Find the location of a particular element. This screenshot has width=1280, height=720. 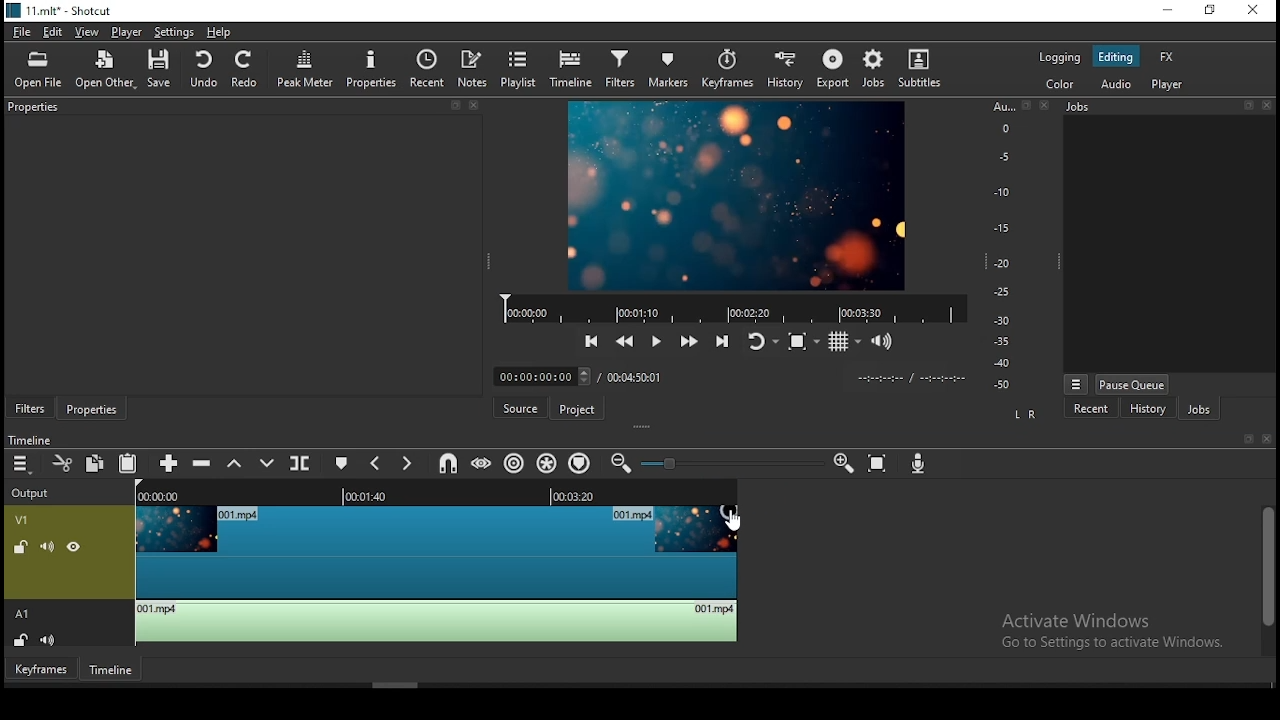

lift is located at coordinates (235, 461).